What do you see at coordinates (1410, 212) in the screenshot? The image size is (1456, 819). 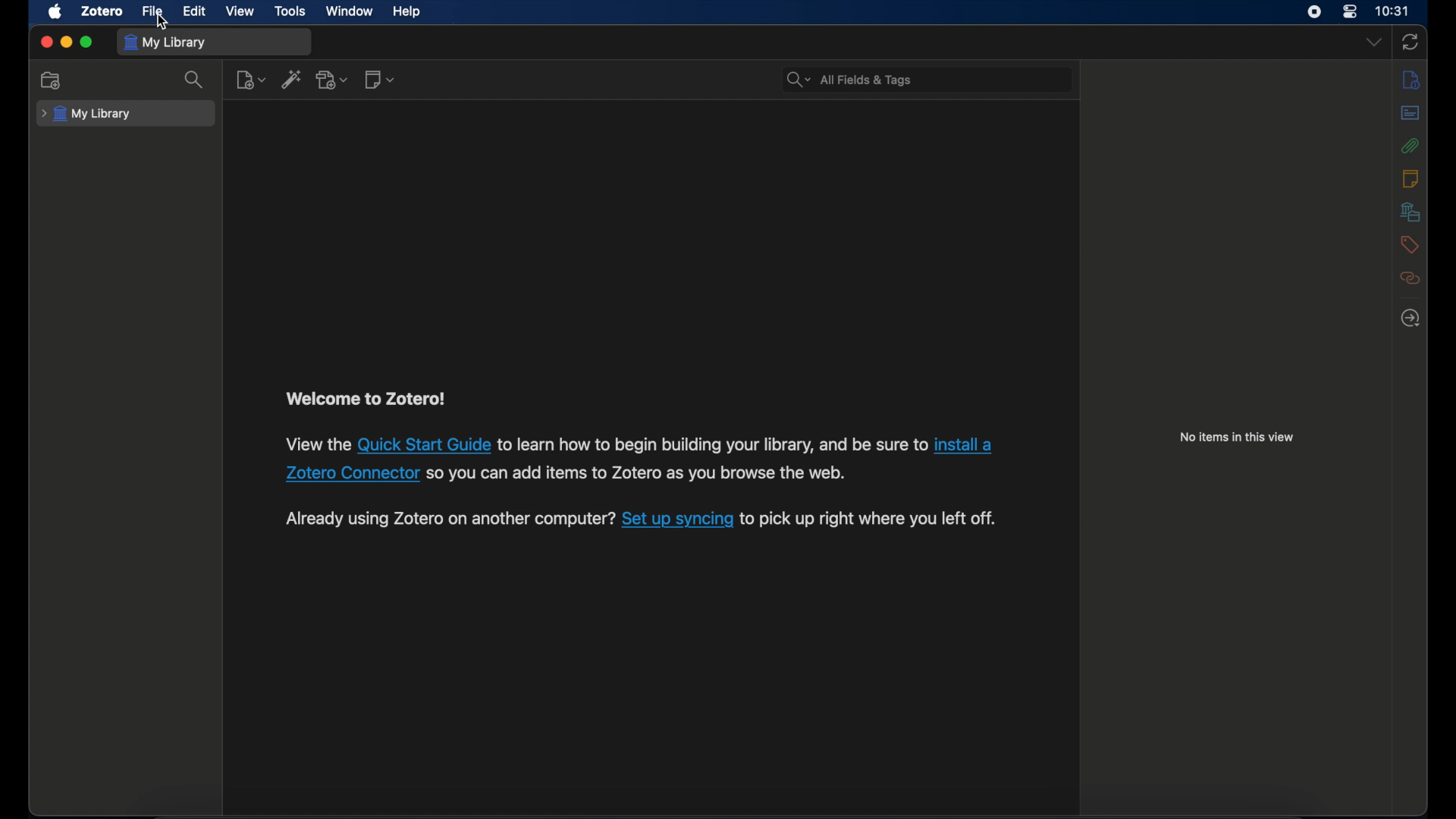 I see `libraries` at bounding box center [1410, 212].